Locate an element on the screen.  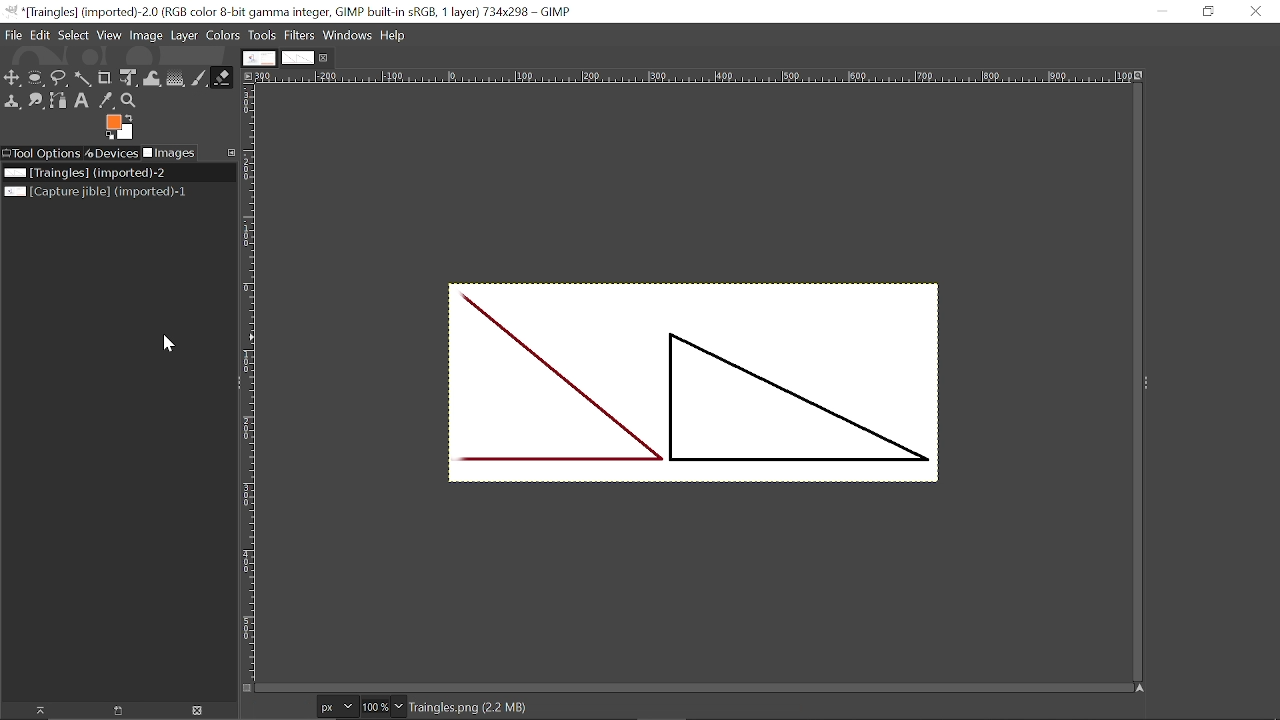
Devices is located at coordinates (111, 153).